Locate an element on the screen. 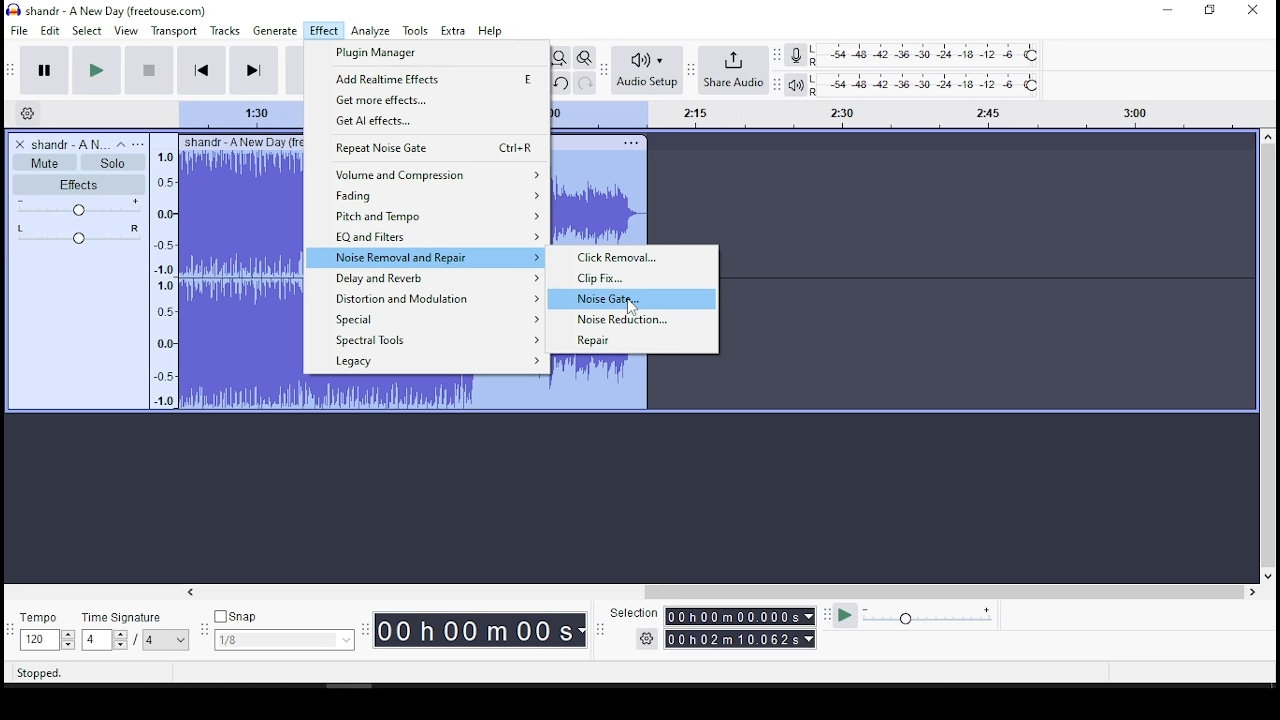  add realtime effects is located at coordinates (428, 78).